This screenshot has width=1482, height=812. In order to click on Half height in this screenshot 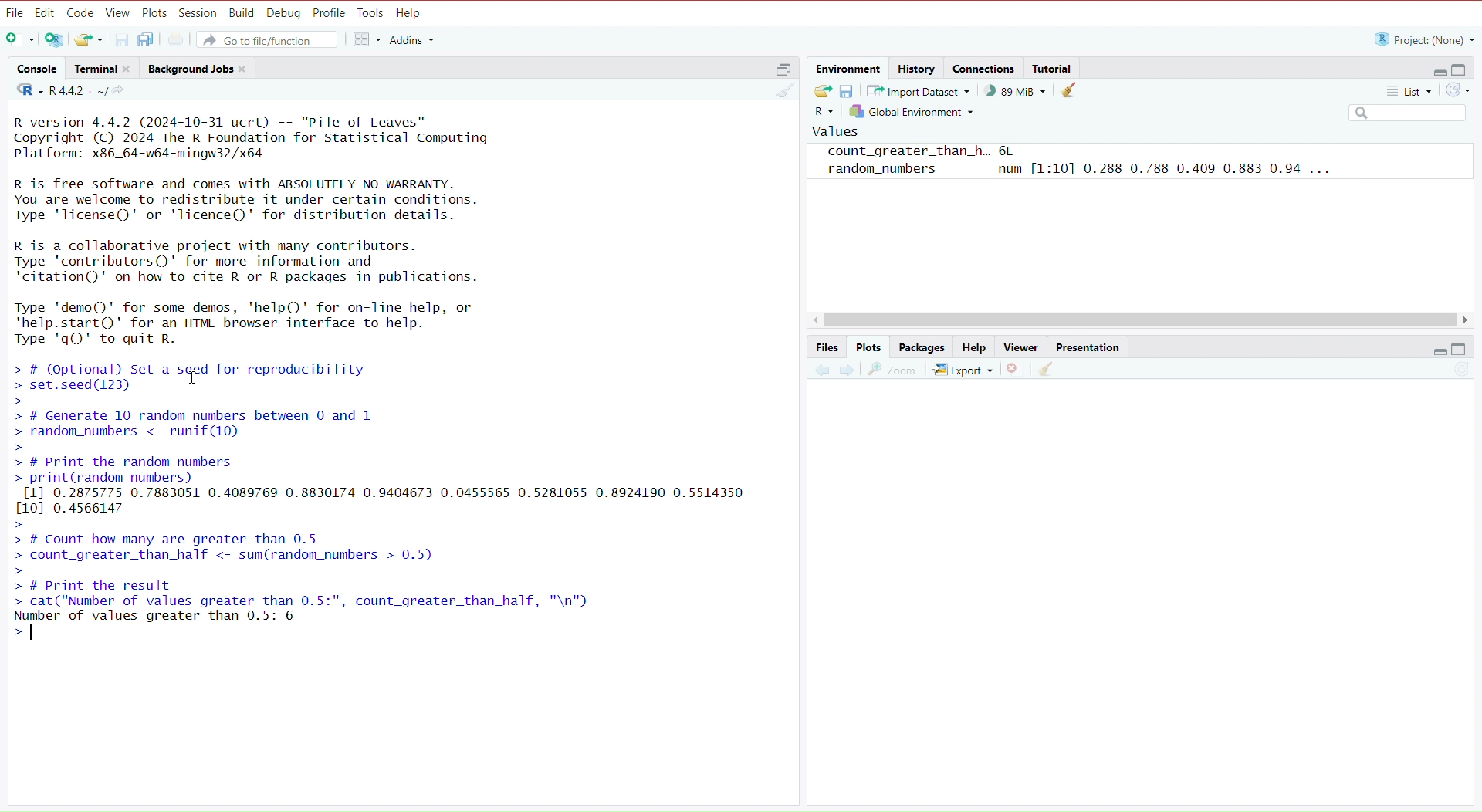, I will do `click(783, 67)`.